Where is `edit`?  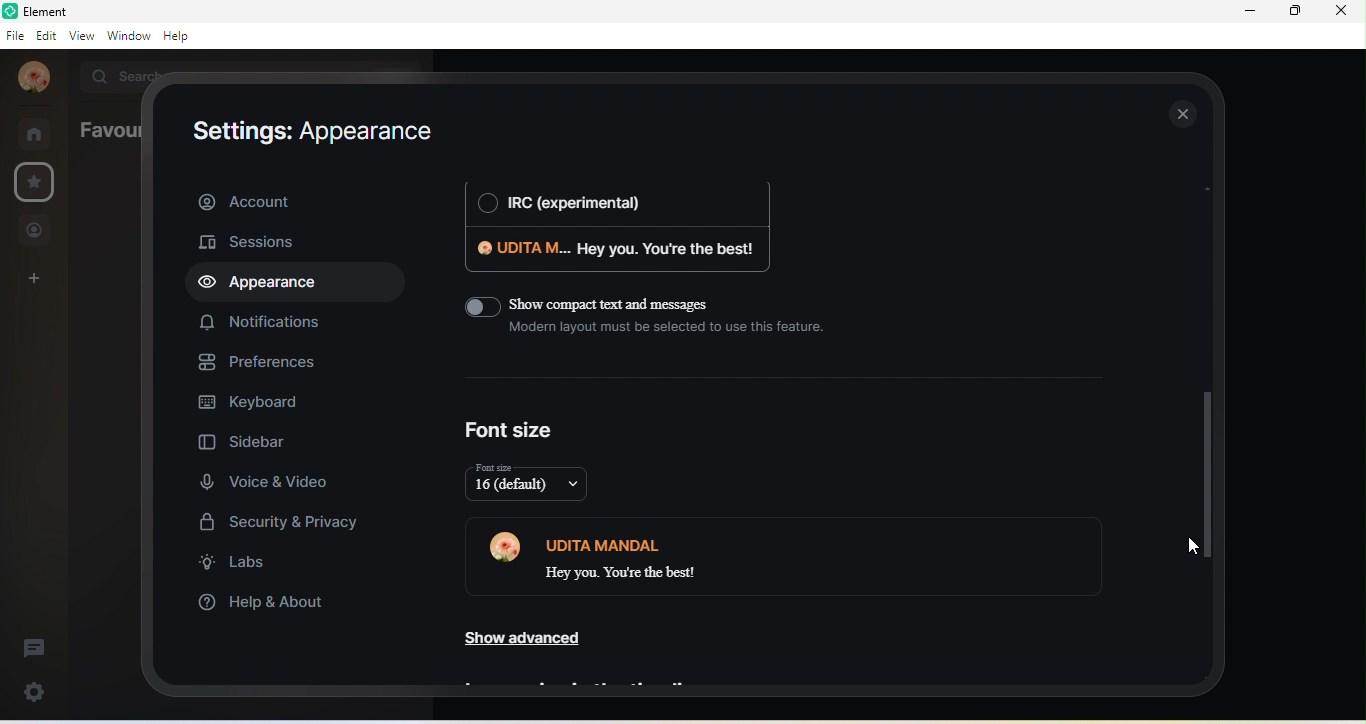
edit is located at coordinates (45, 39).